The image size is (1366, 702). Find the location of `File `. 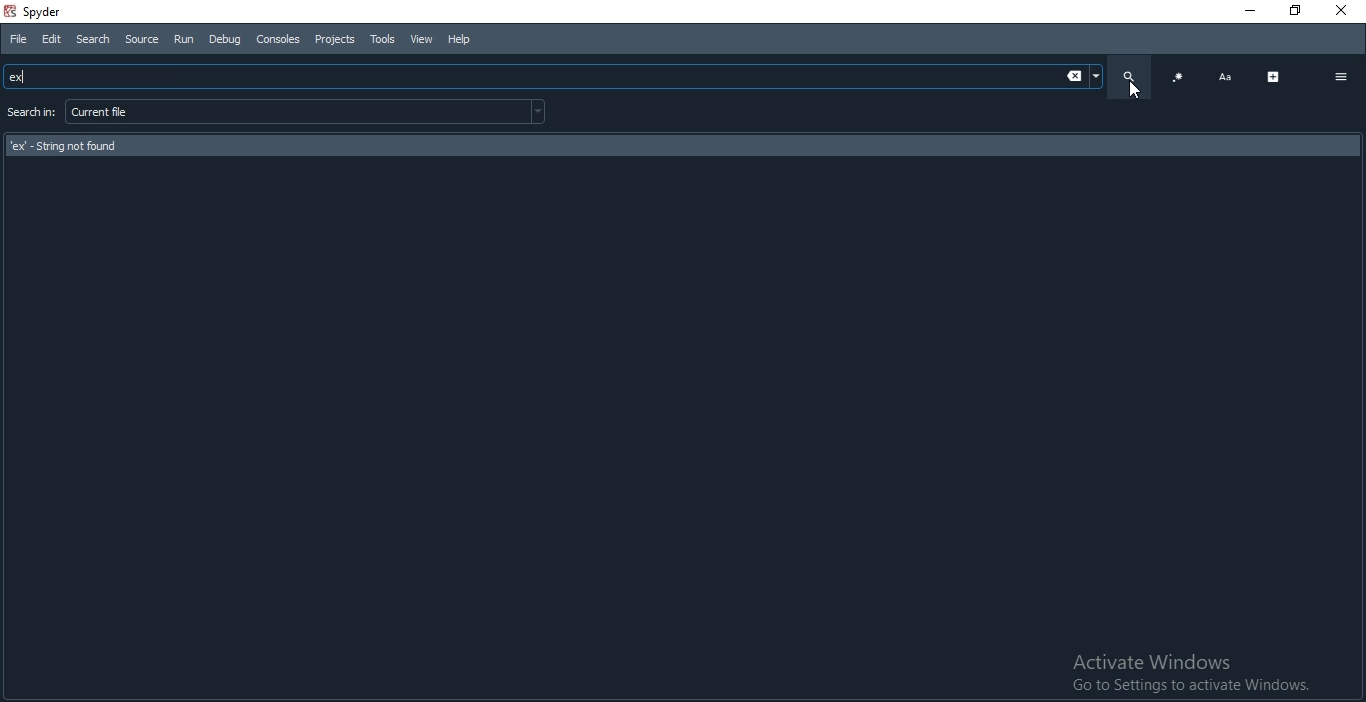

File  is located at coordinates (20, 40).